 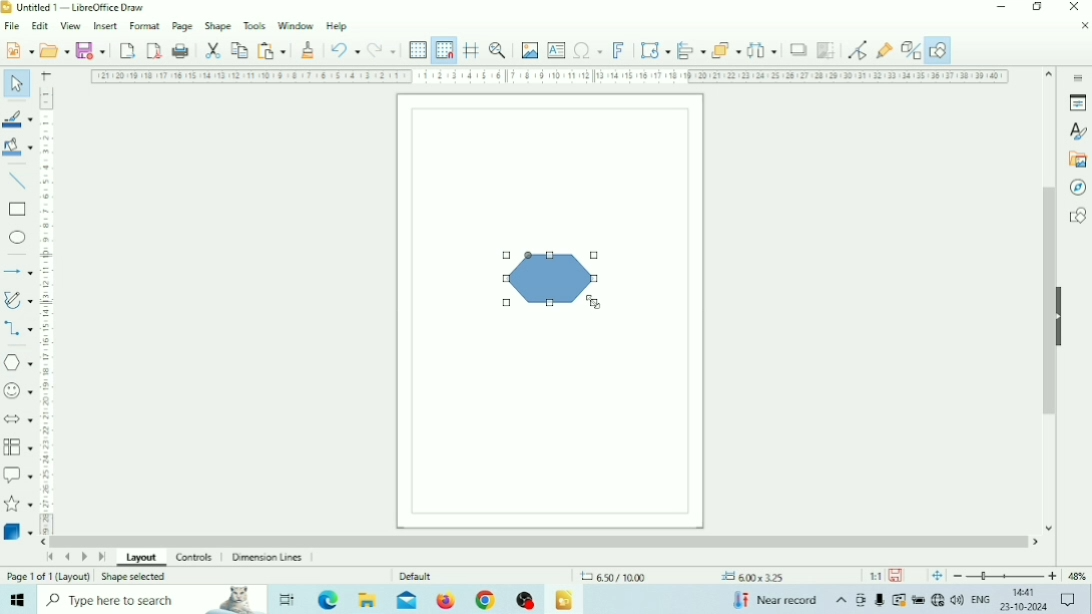 I want to click on Flowchart, so click(x=18, y=447).